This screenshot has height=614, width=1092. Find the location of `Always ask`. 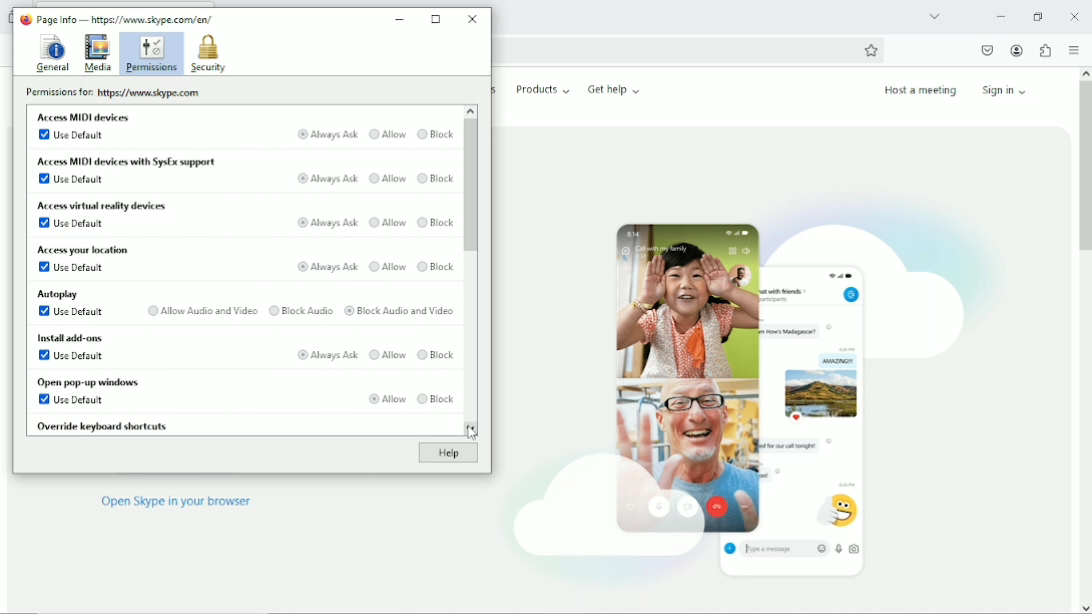

Always ask is located at coordinates (325, 222).